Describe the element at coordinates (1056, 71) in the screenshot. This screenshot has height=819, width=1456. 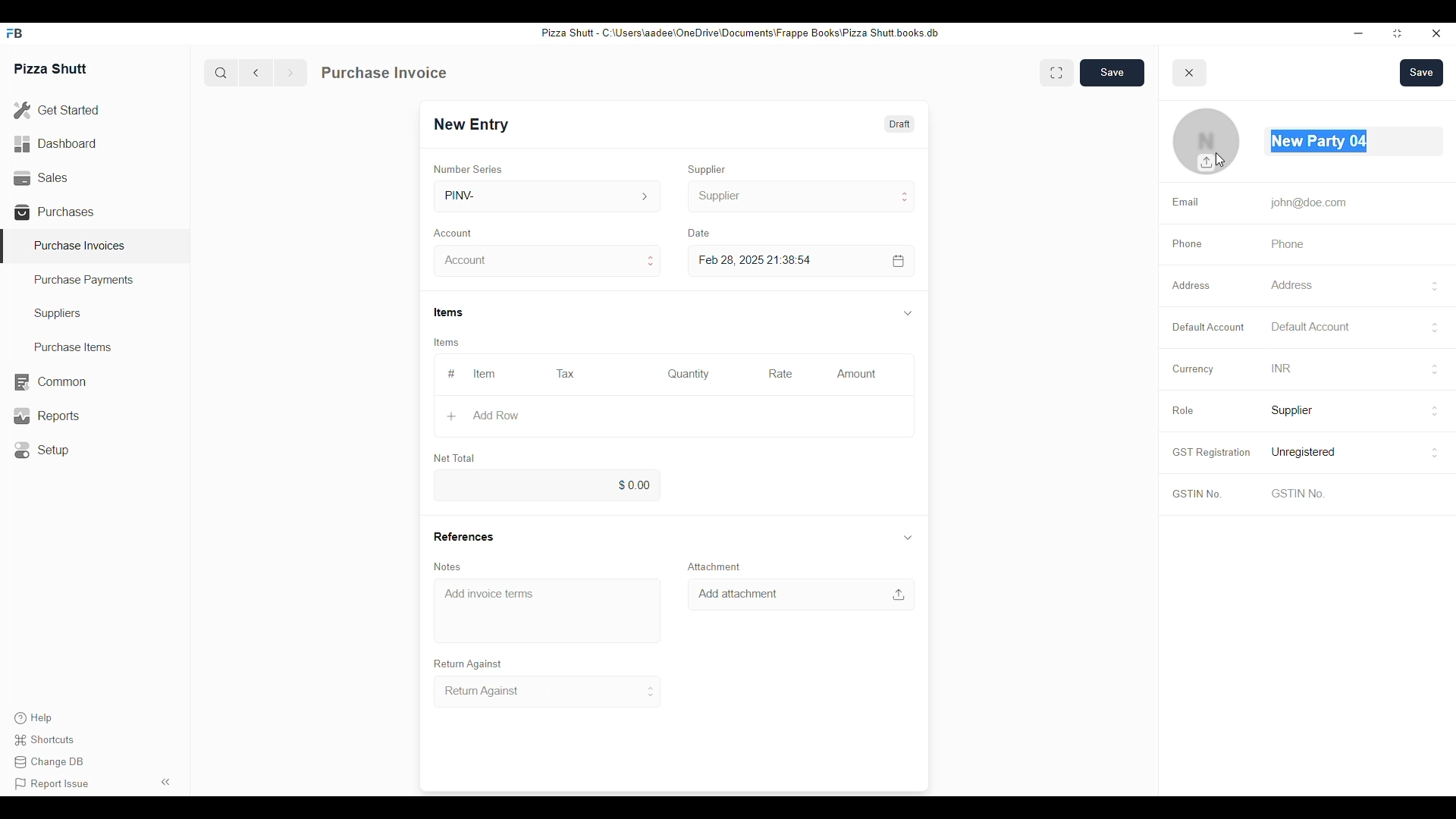
I see `enlarge` at that location.